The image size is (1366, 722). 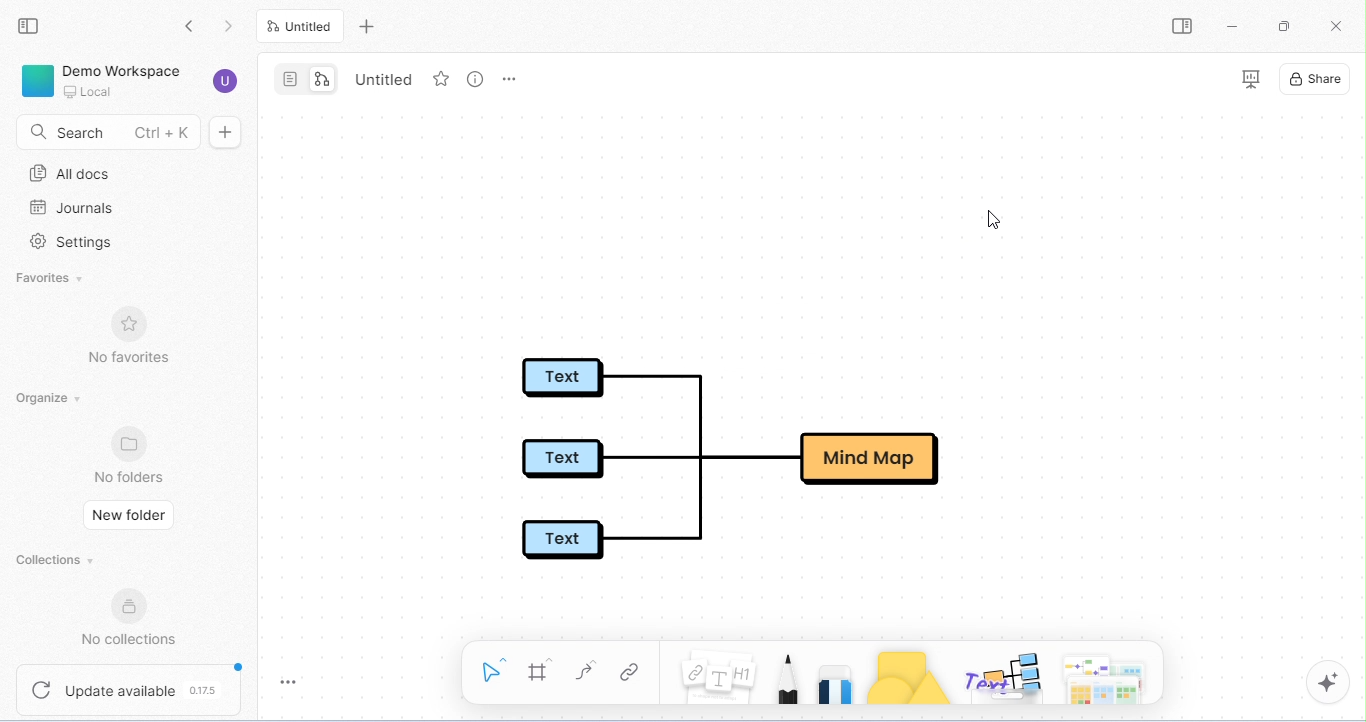 I want to click on others, so click(x=1001, y=680).